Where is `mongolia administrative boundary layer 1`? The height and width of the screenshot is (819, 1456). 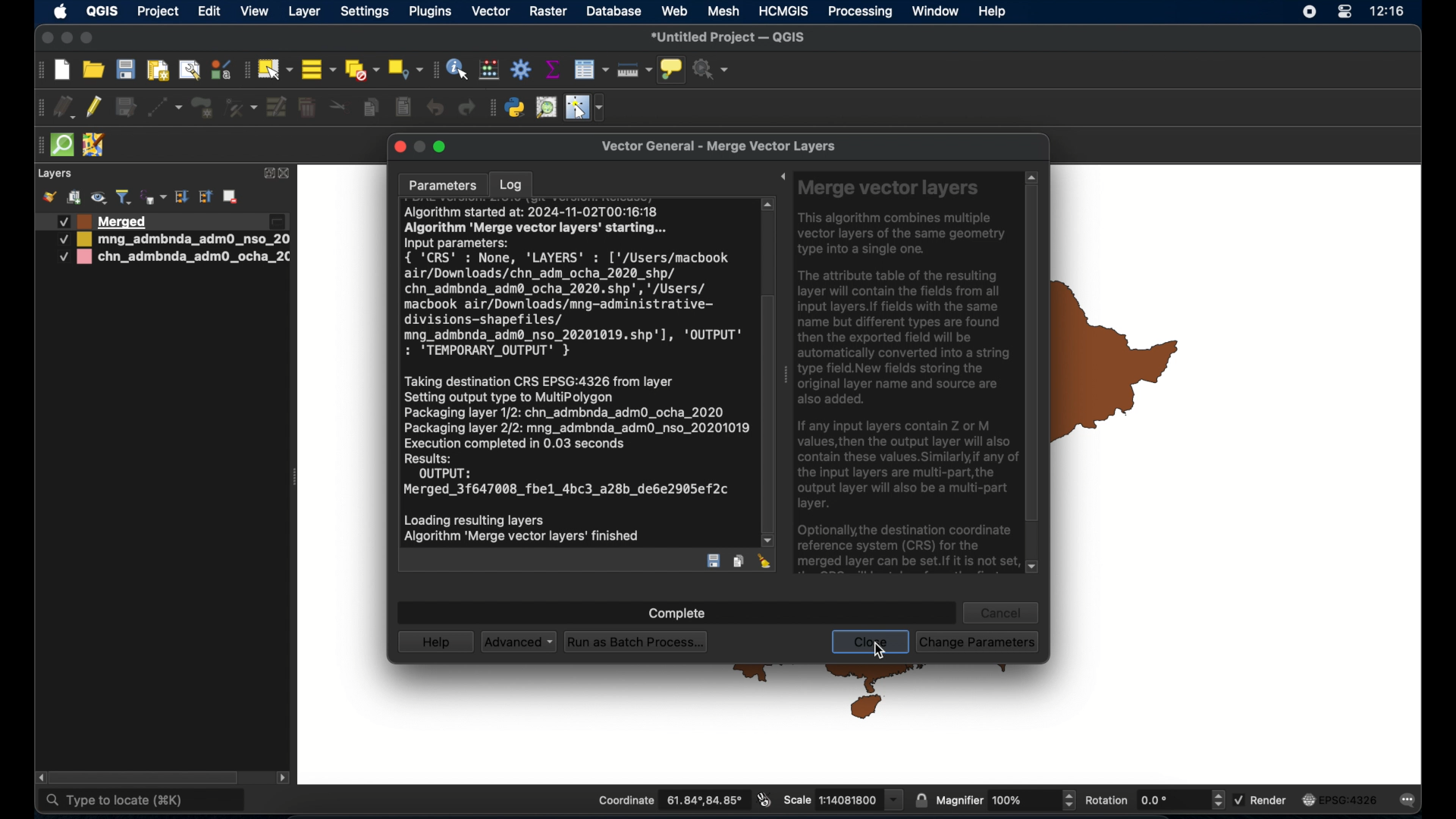 mongolia administrative boundary layer 1 is located at coordinates (172, 240).